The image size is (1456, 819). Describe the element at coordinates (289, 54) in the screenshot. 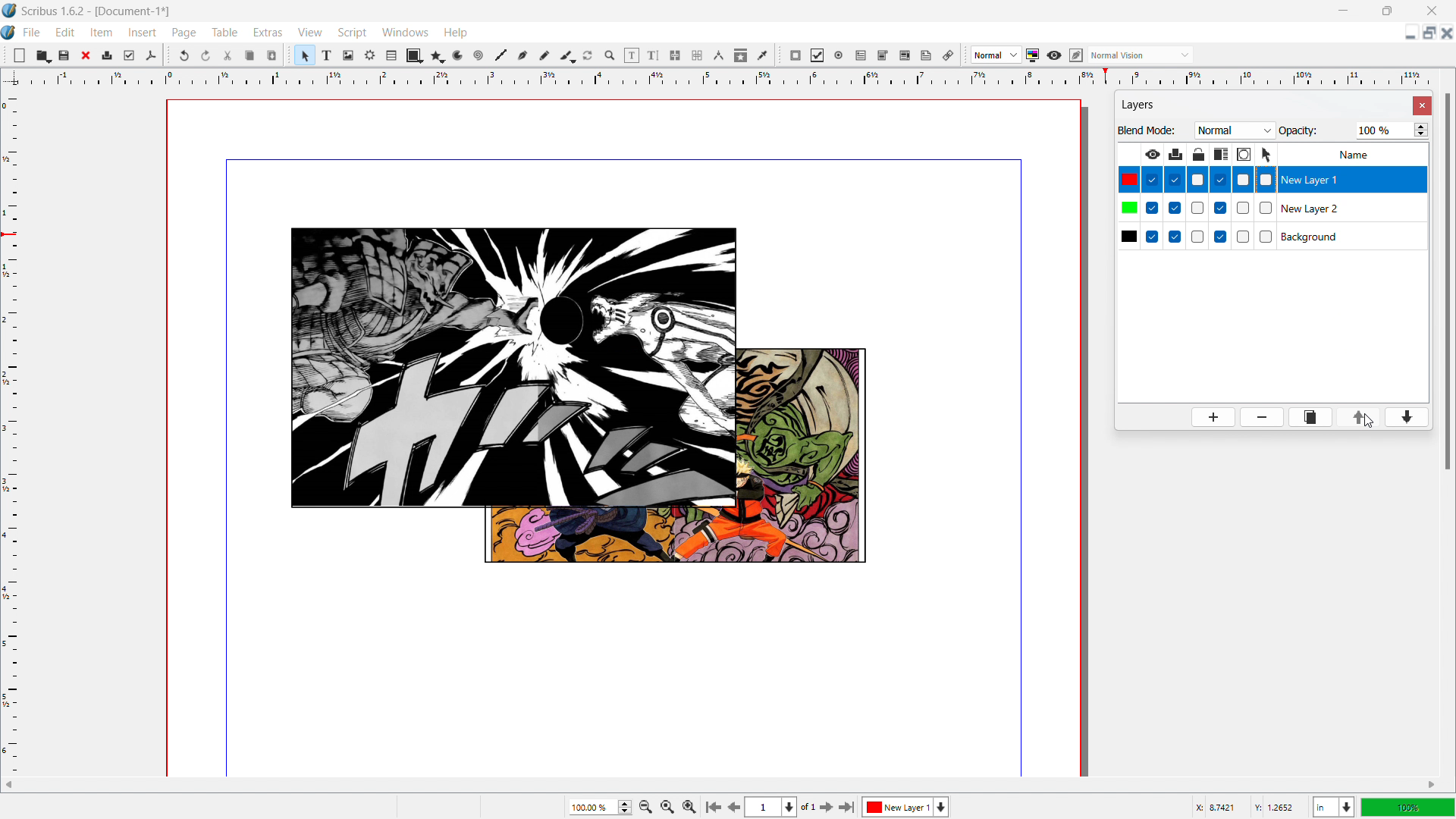

I see `move toolbox` at that location.